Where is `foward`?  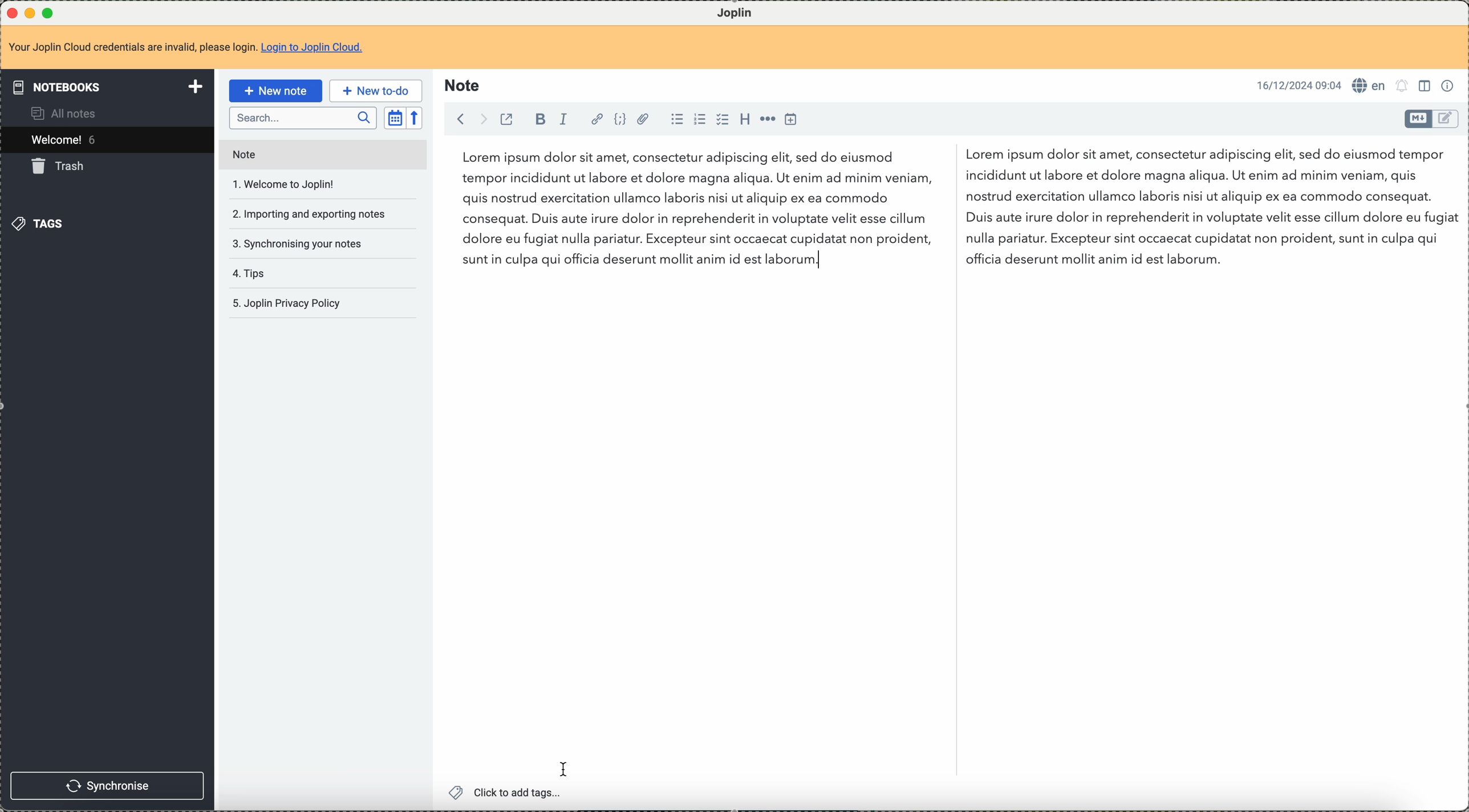
foward is located at coordinates (480, 119).